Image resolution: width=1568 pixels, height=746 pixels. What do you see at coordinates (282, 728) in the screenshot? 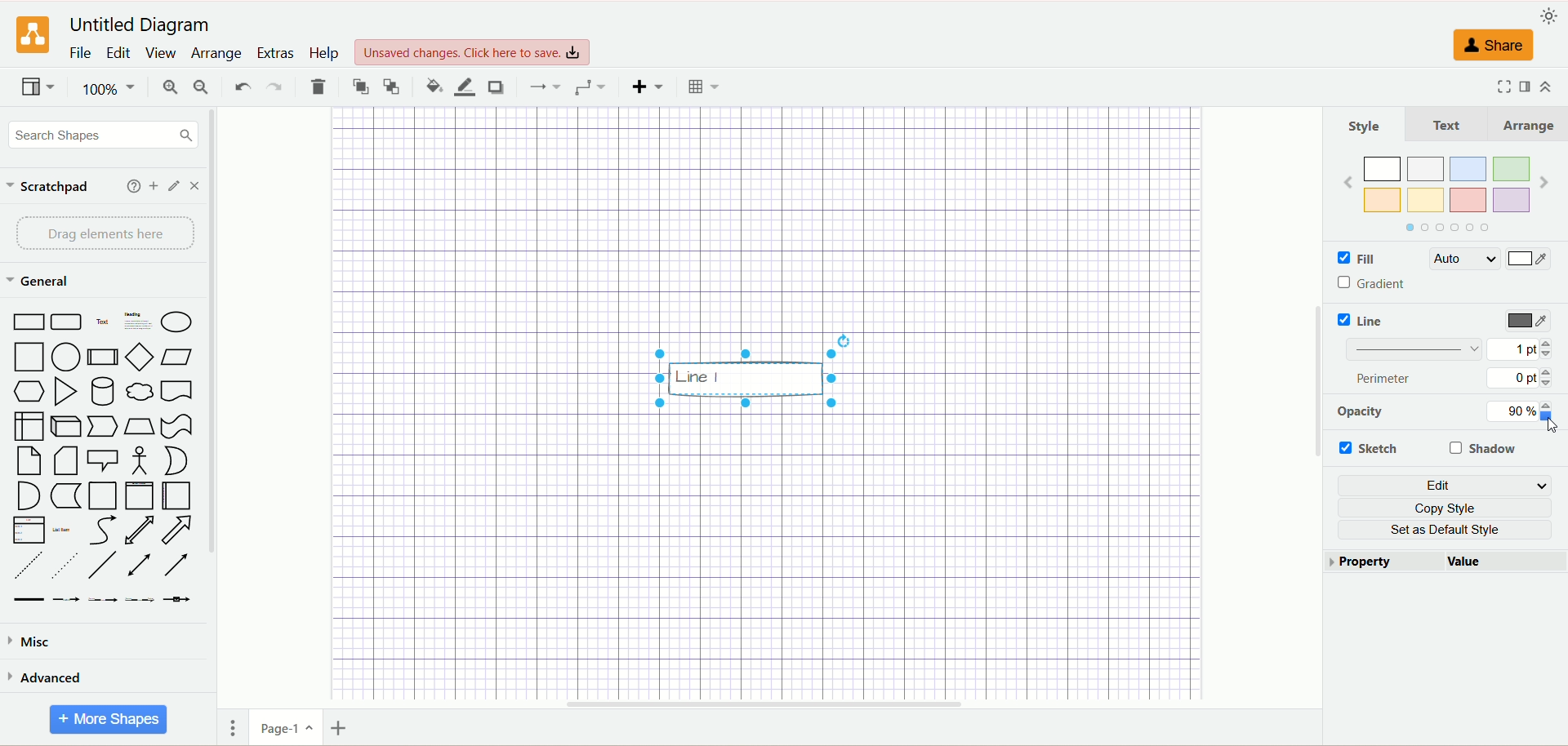
I see `page-1` at bounding box center [282, 728].